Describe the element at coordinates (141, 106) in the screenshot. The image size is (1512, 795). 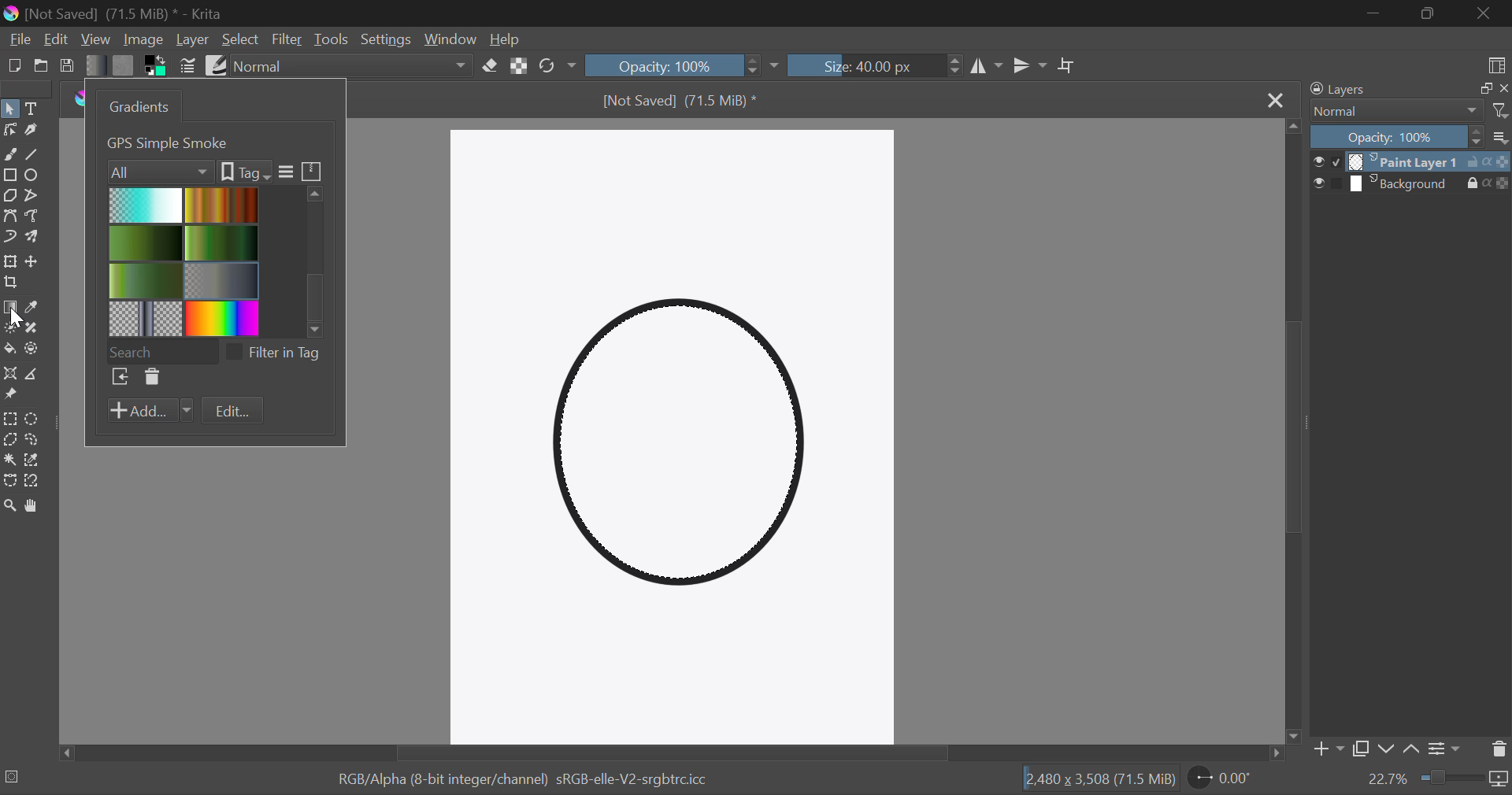
I see `Gradients` at that location.